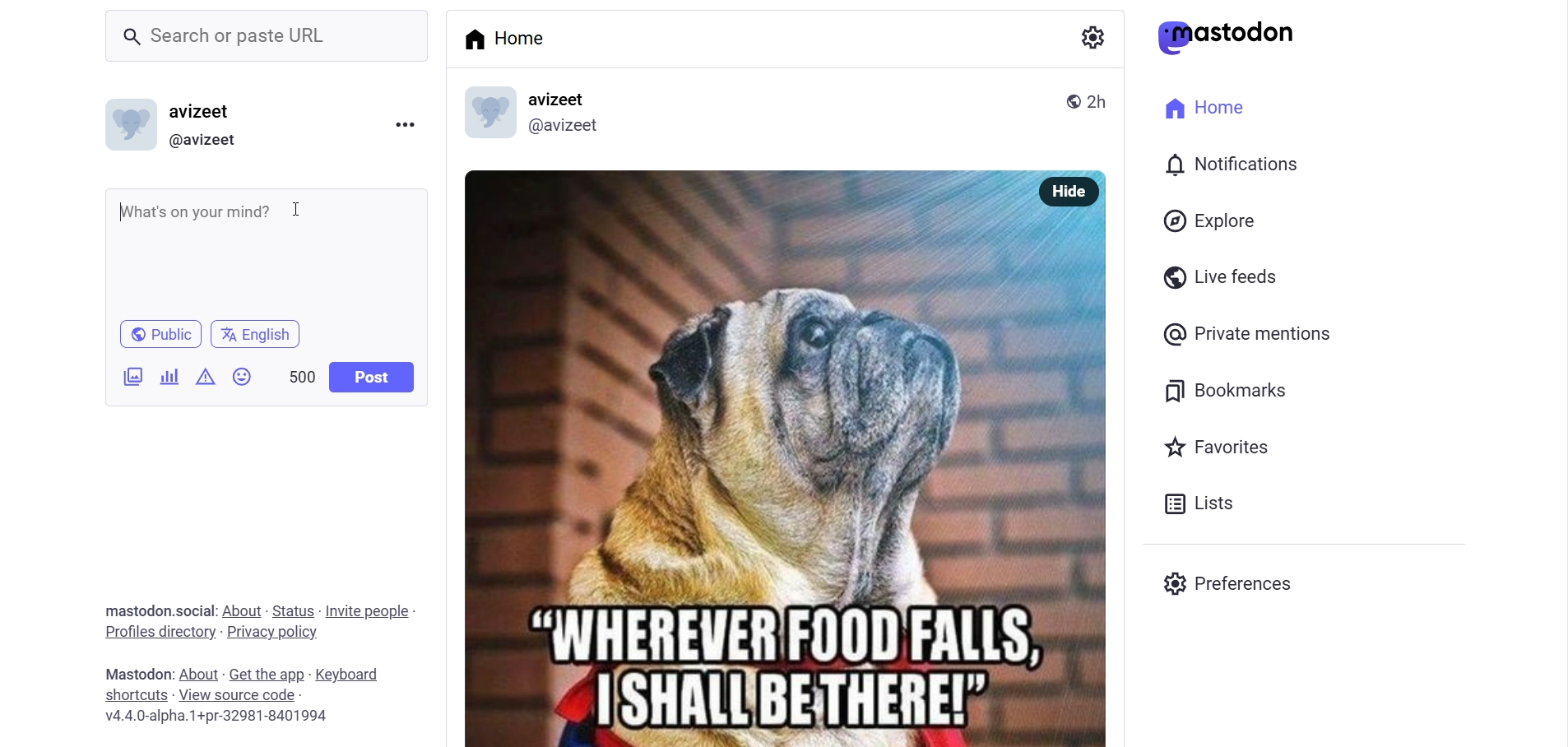 Image resolution: width=1568 pixels, height=747 pixels. Describe the element at coordinates (569, 127) in the screenshot. I see `@avizeet` at that location.